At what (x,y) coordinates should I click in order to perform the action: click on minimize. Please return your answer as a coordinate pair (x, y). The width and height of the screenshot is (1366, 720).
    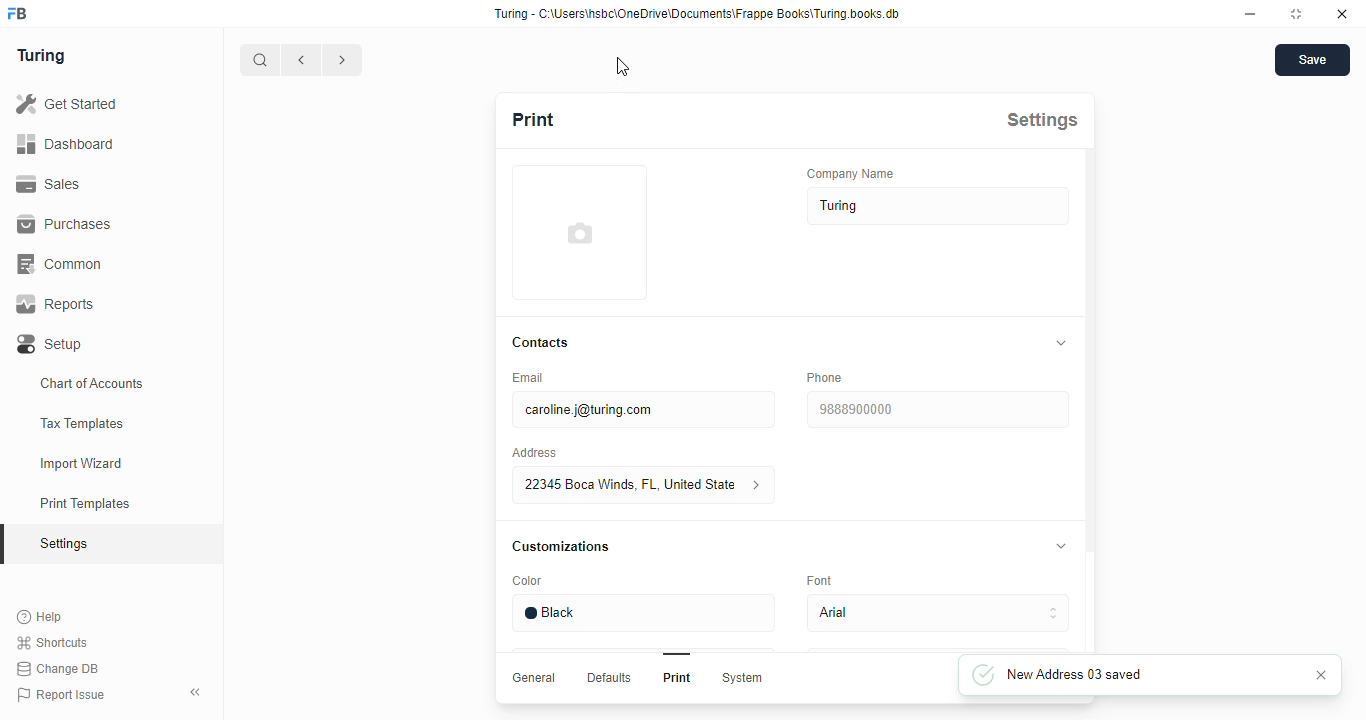
    Looking at the image, I should click on (1251, 14).